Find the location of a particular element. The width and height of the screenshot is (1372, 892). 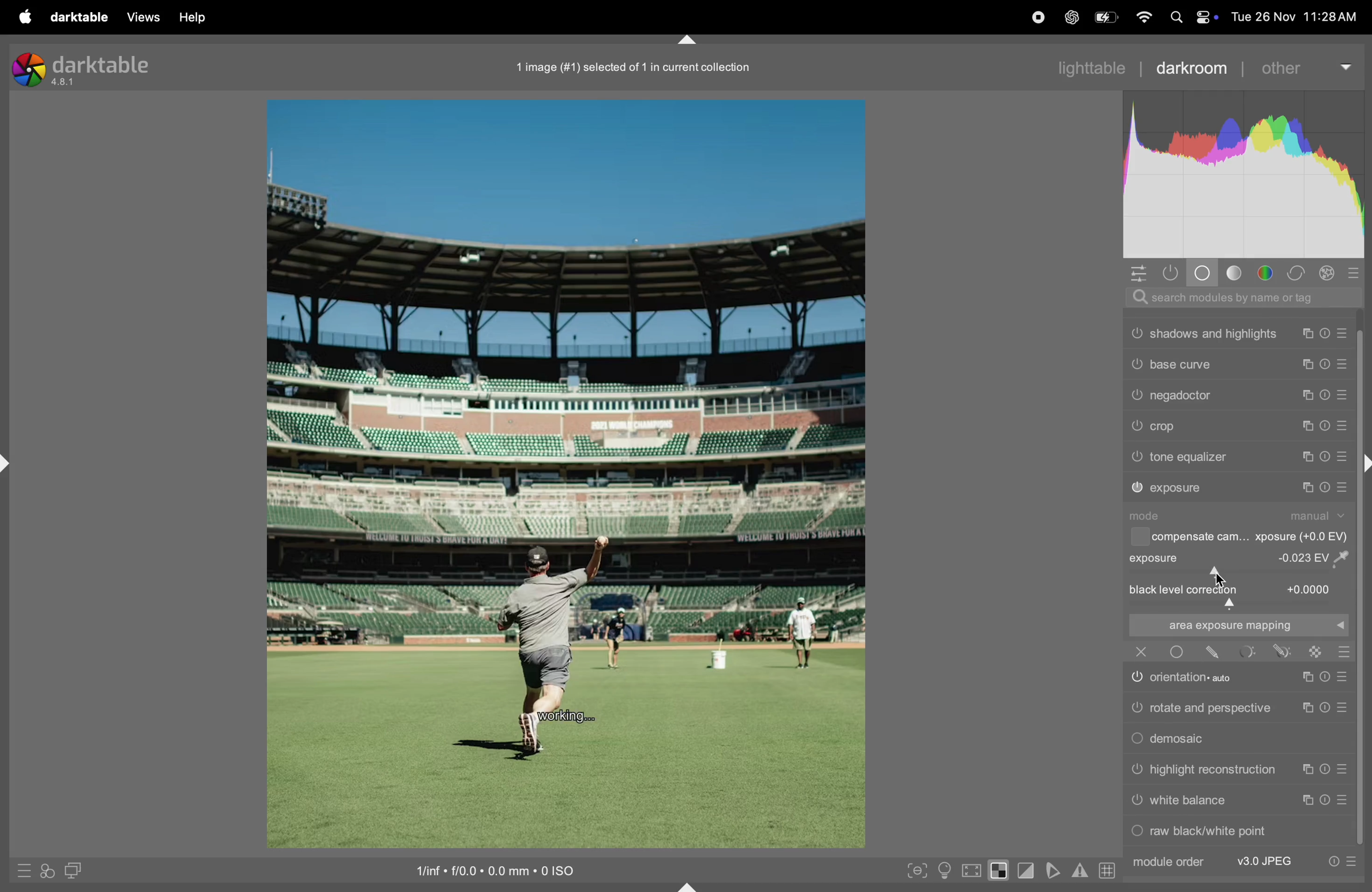

expand or collapse  is located at coordinates (9, 464).